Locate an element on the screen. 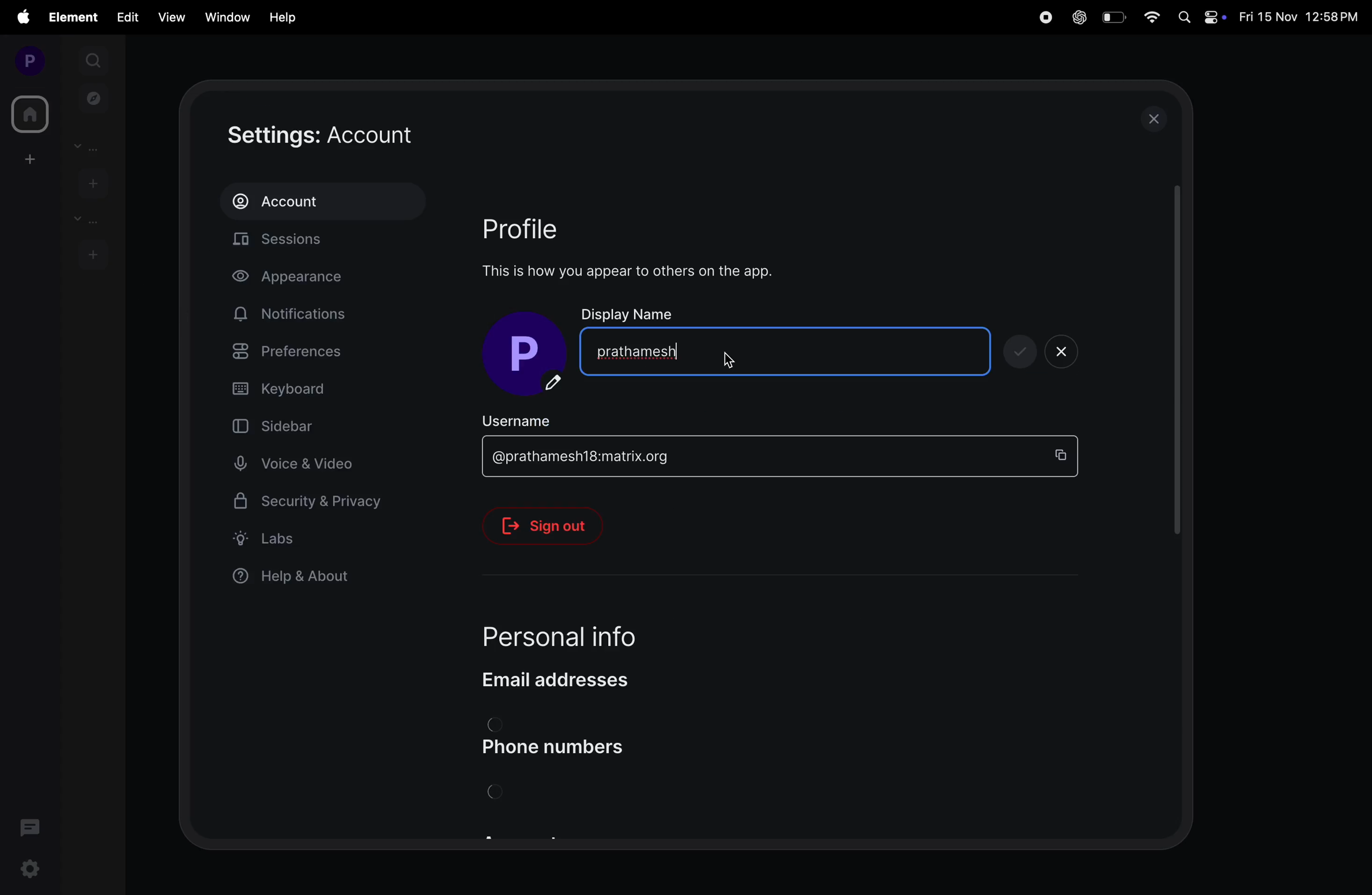  settings is located at coordinates (30, 871).